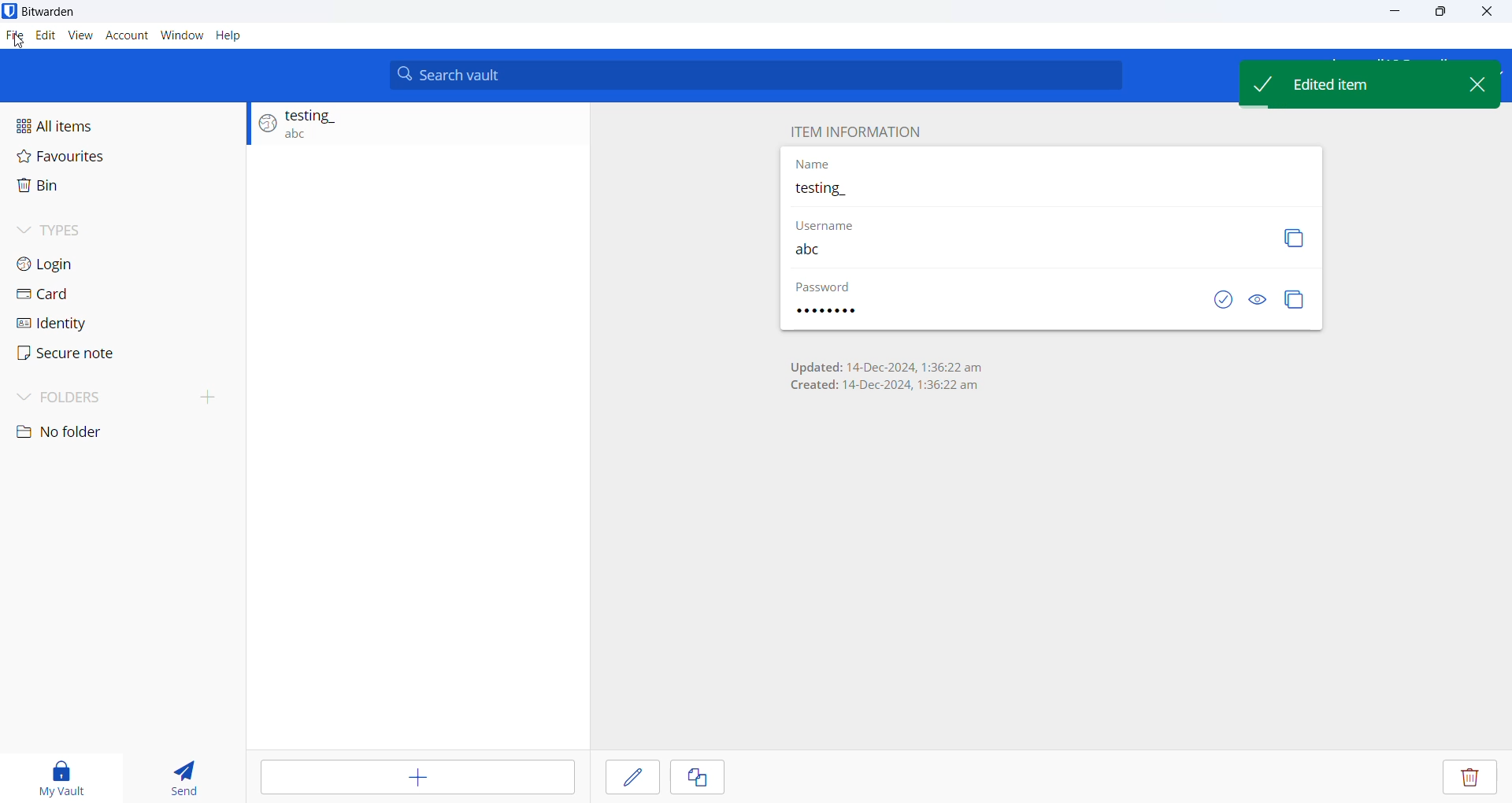 This screenshot has height=803, width=1512. I want to click on , so click(839, 312).